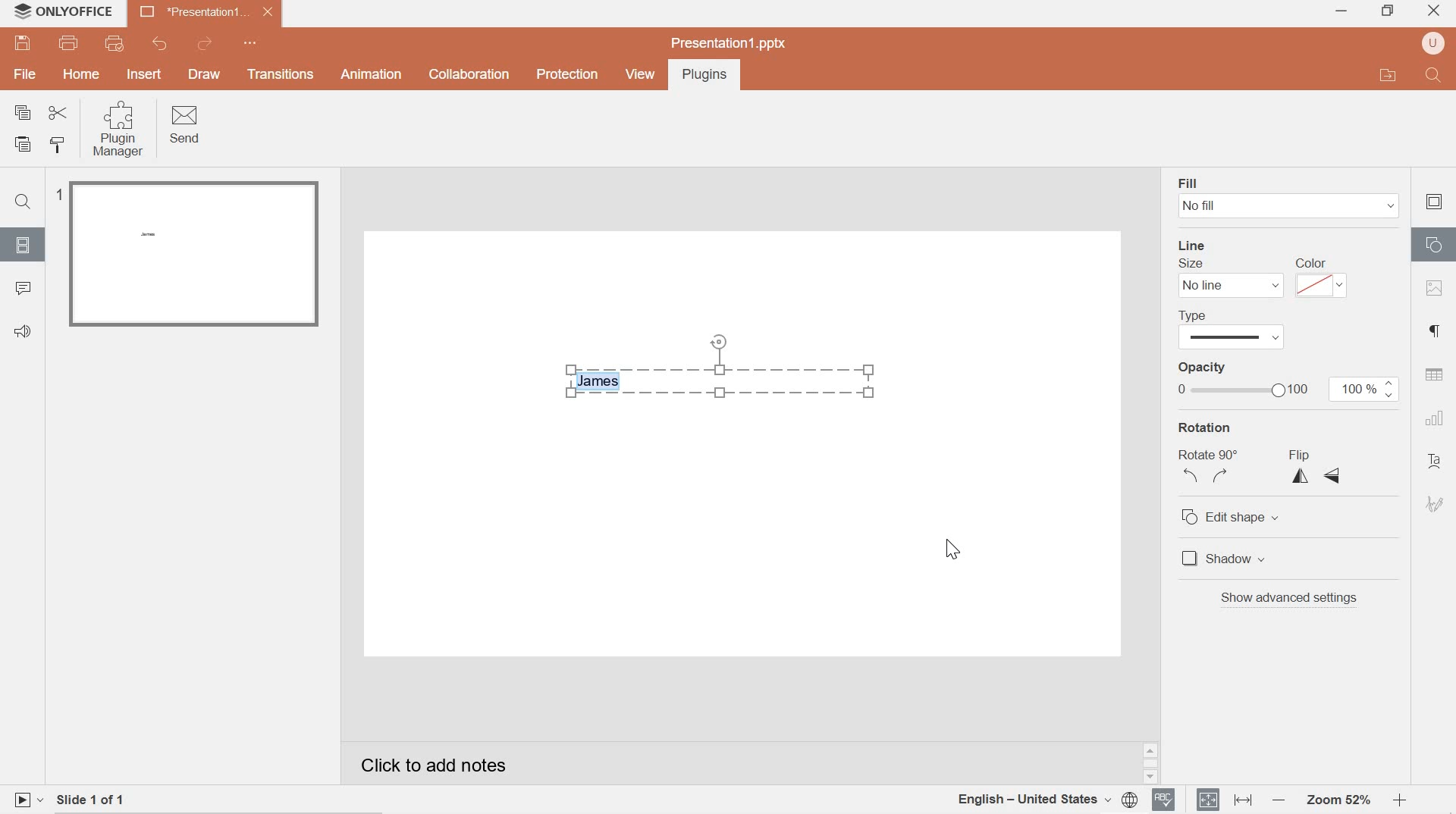 Image resolution: width=1456 pixels, height=814 pixels. I want to click on line, so click(1194, 246).